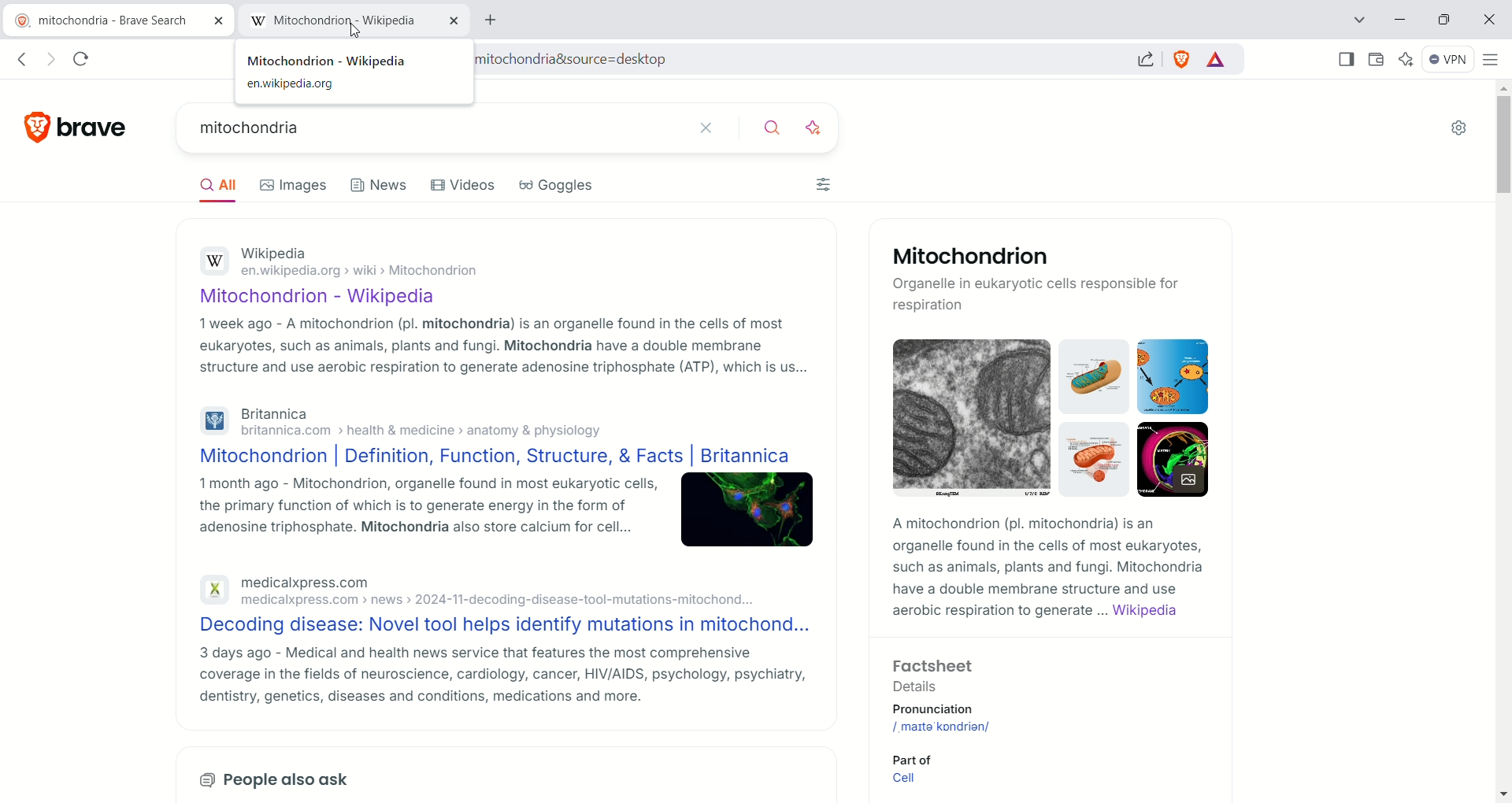  I want to click on news, so click(379, 188).